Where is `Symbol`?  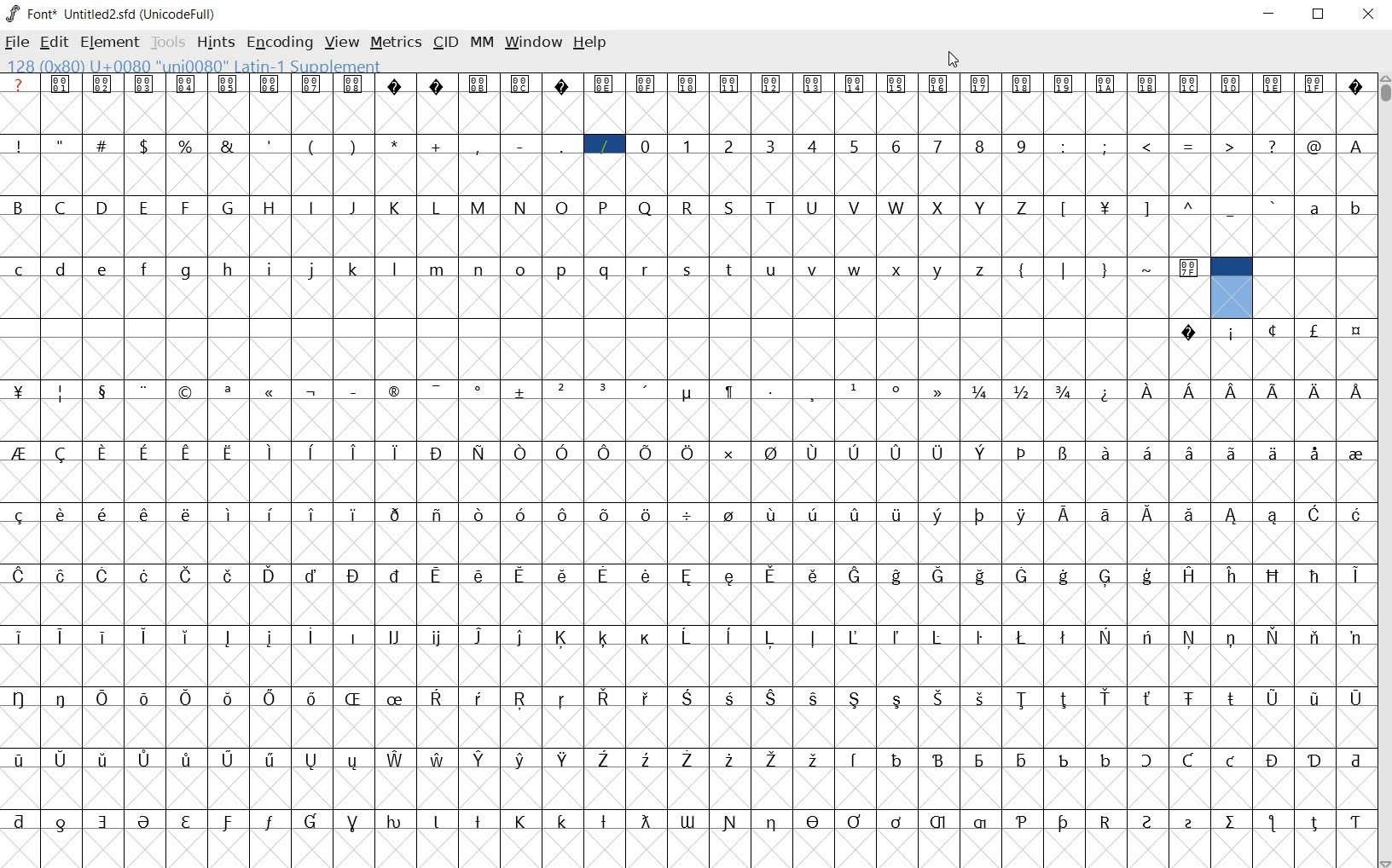 Symbol is located at coordinates (772, 454).